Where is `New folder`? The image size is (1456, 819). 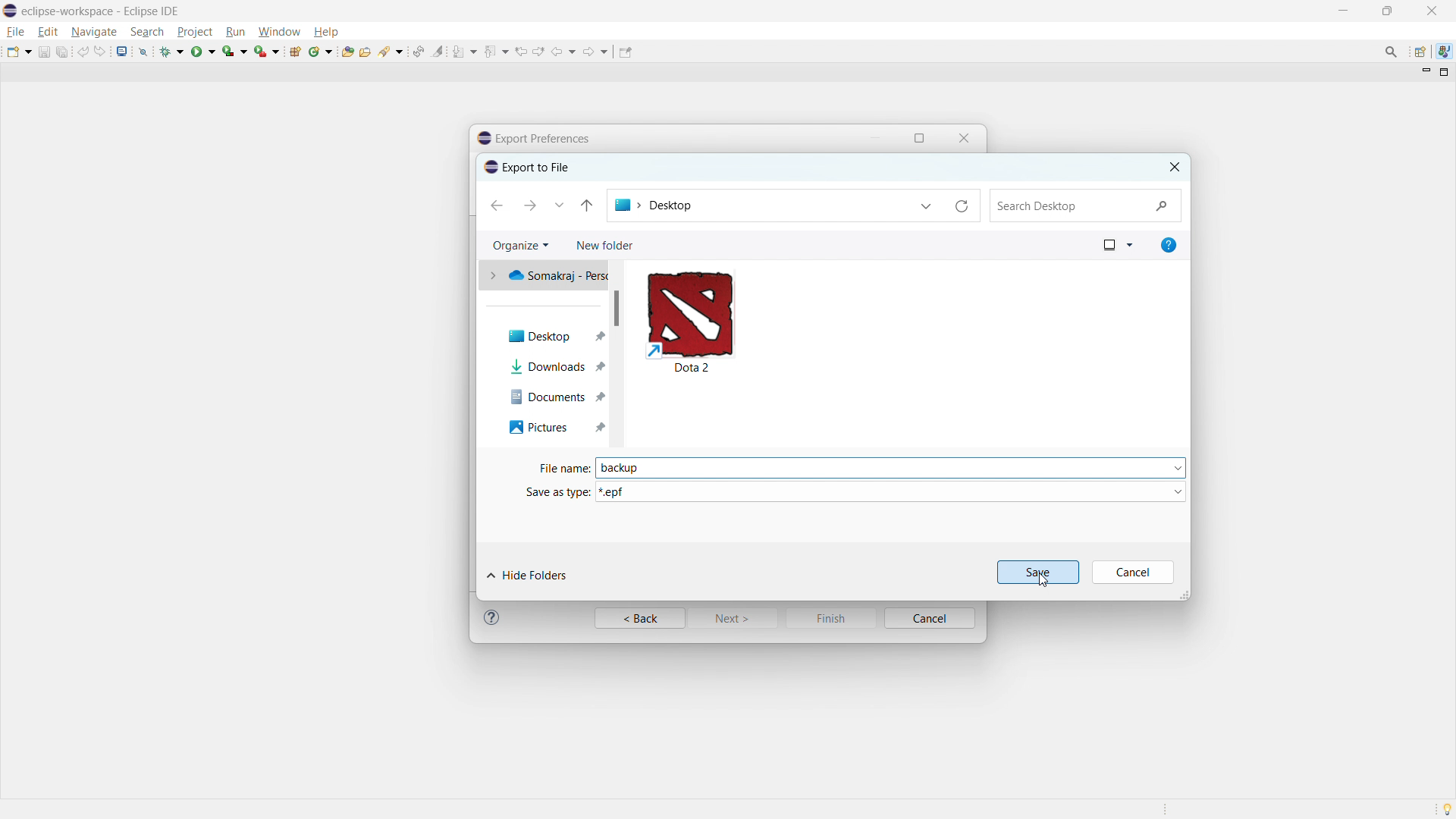 New folder is located at coordinates (604, 245).